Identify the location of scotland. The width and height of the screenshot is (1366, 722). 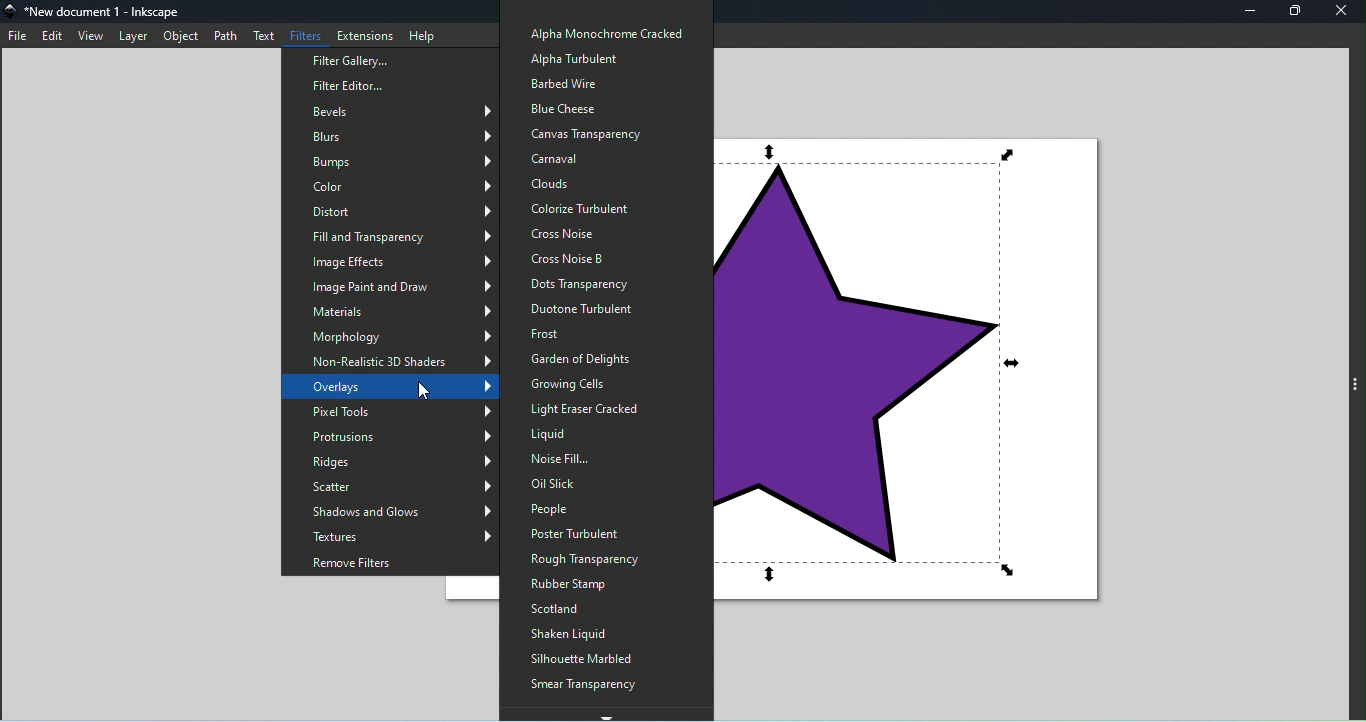
(589, 610).